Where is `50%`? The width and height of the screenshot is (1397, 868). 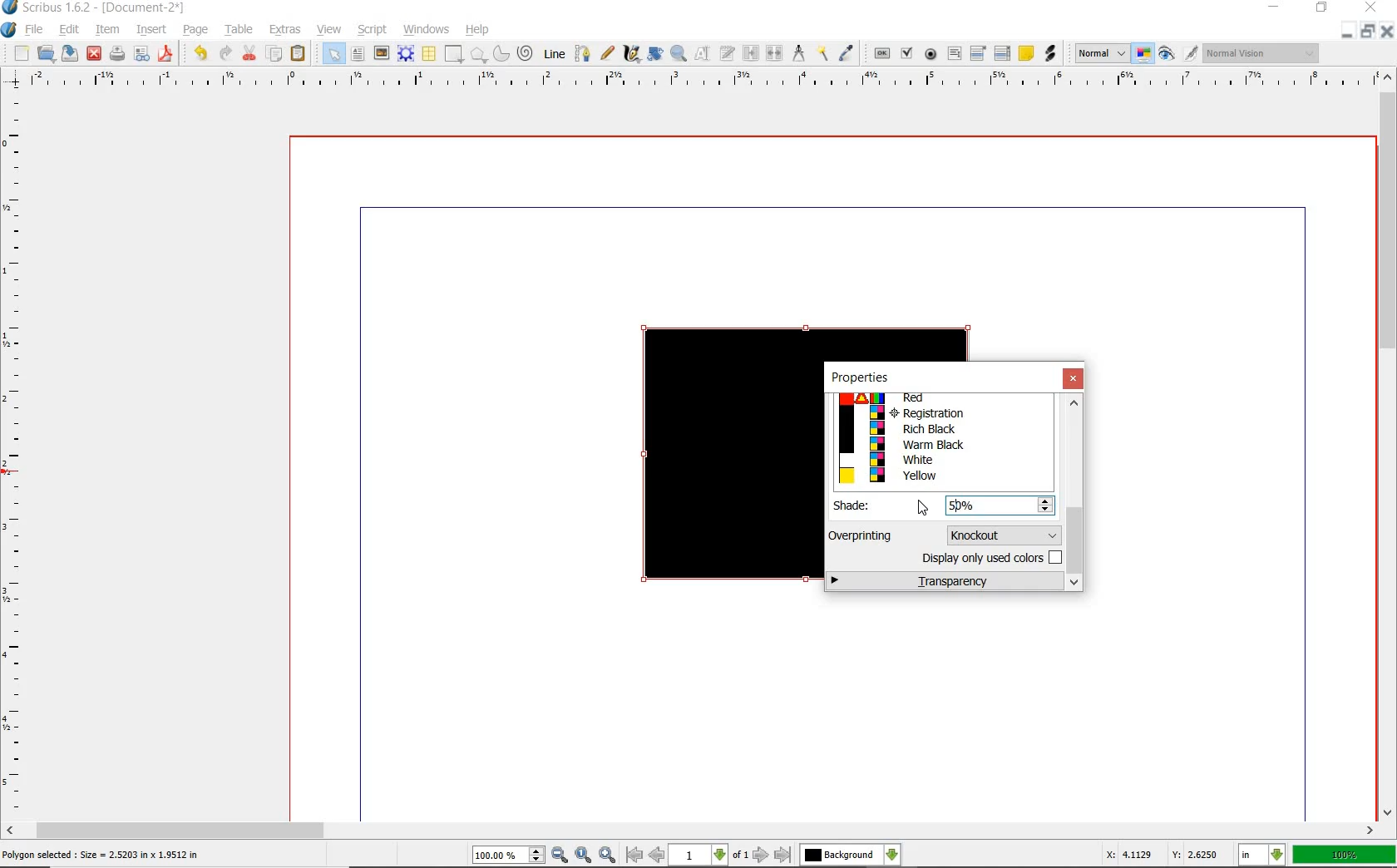
50% is located at coordinates (973, 505).